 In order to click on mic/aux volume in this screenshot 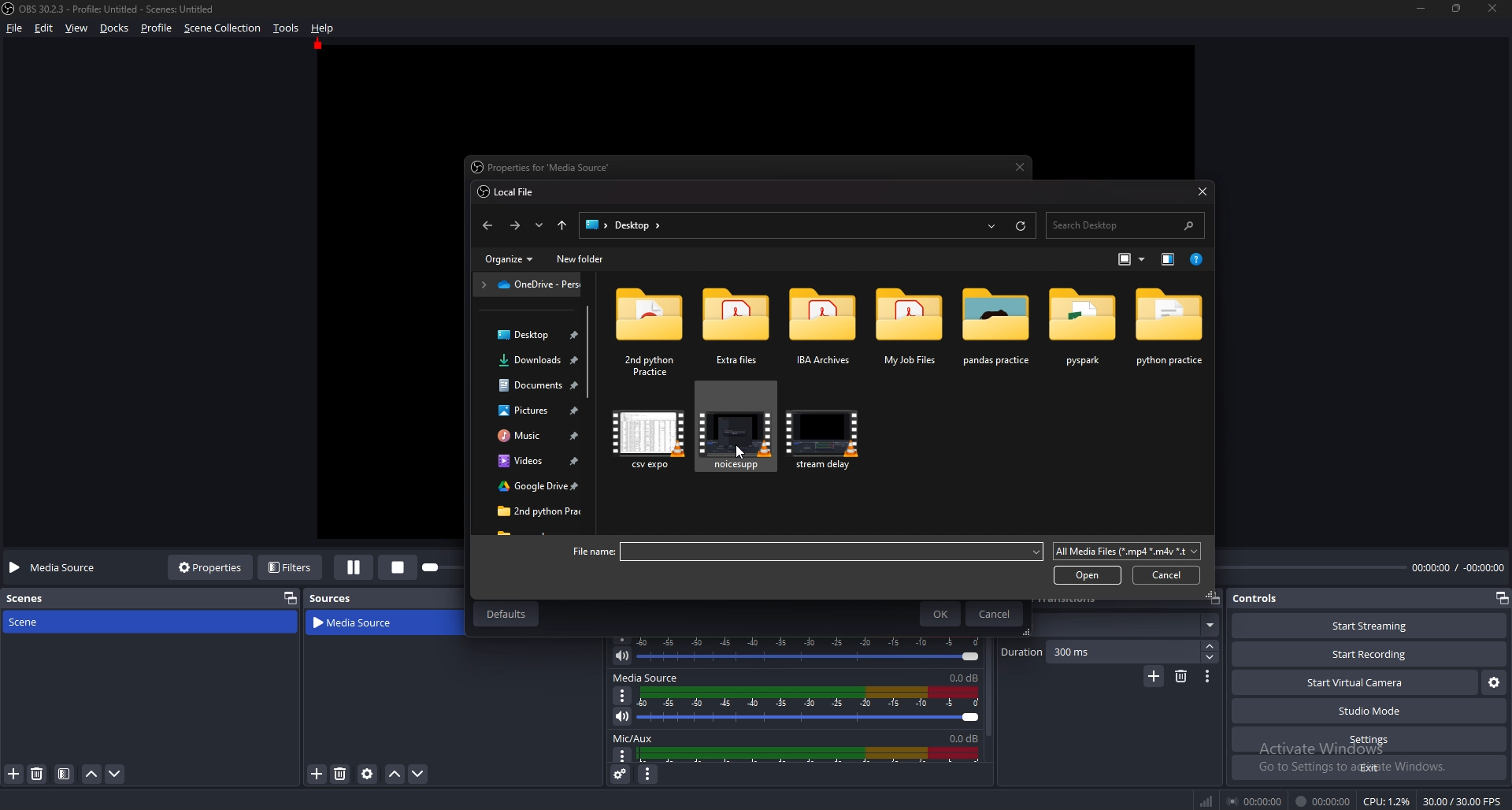, I will do `click(813, 754)`.